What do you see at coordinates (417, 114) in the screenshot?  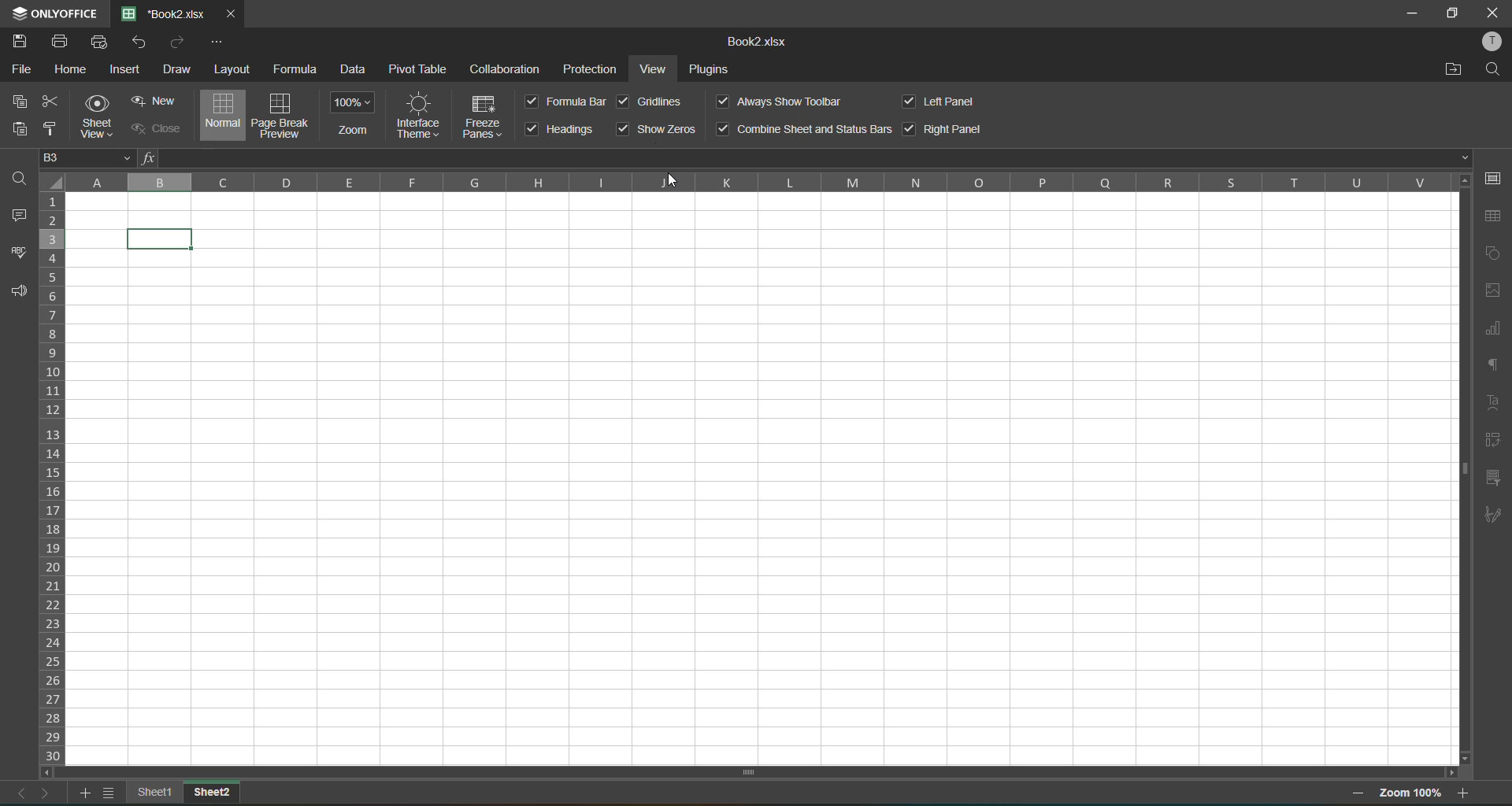 I see `interface theme` at bounding box center [417, 114].